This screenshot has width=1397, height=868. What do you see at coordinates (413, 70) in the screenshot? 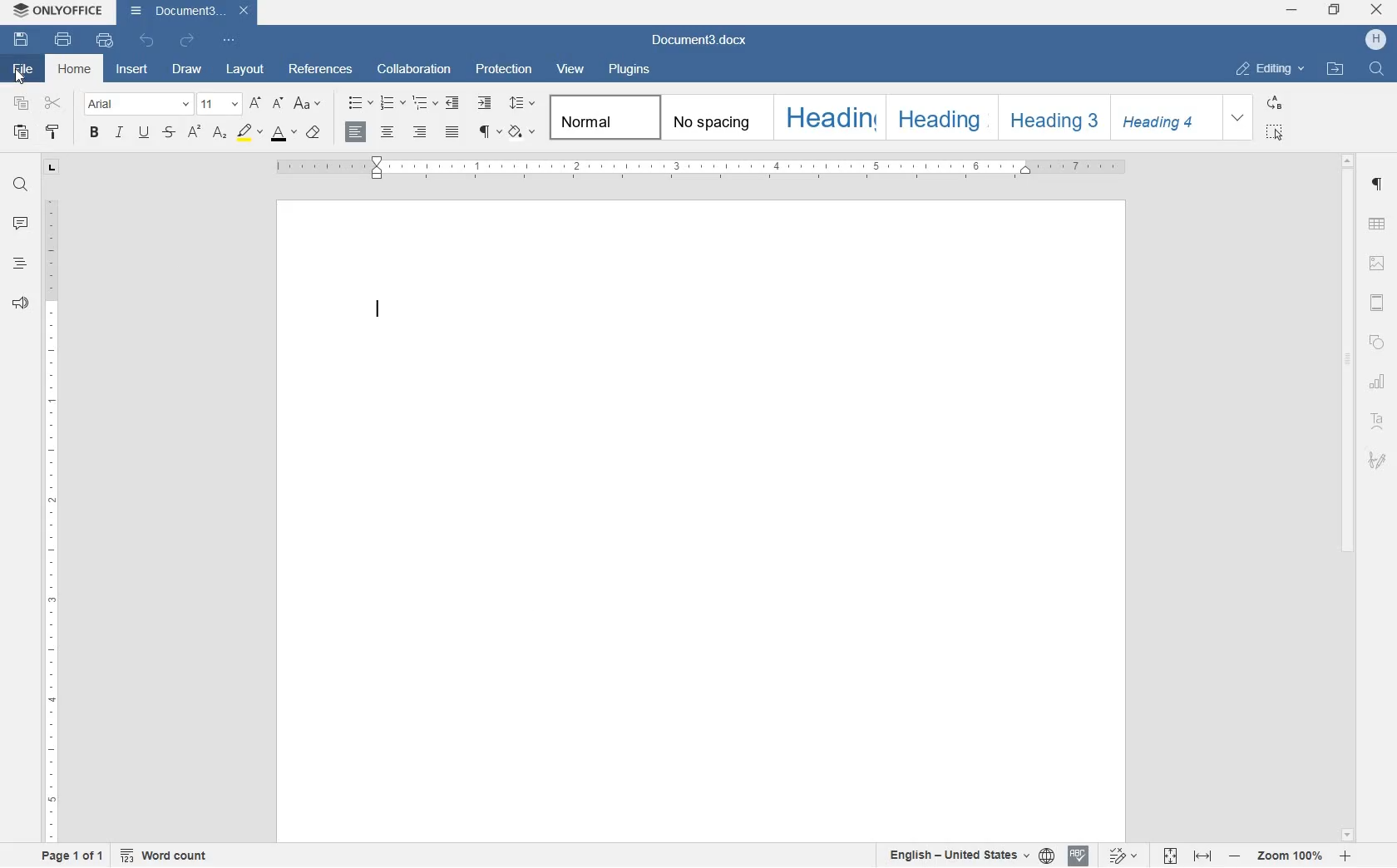
I see `collaboration` at bounding box center [413, 70].